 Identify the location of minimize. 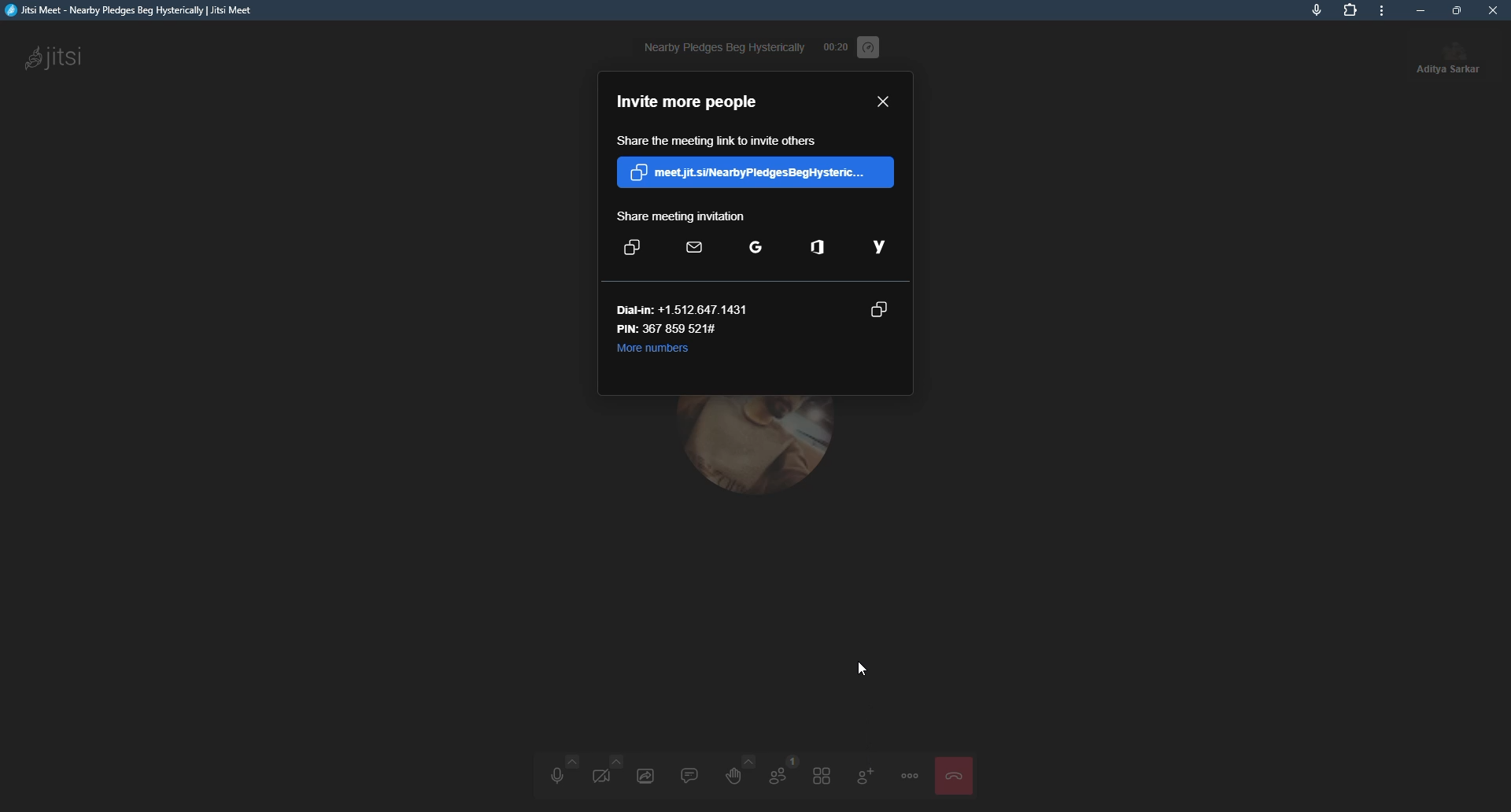
(1422, 11).